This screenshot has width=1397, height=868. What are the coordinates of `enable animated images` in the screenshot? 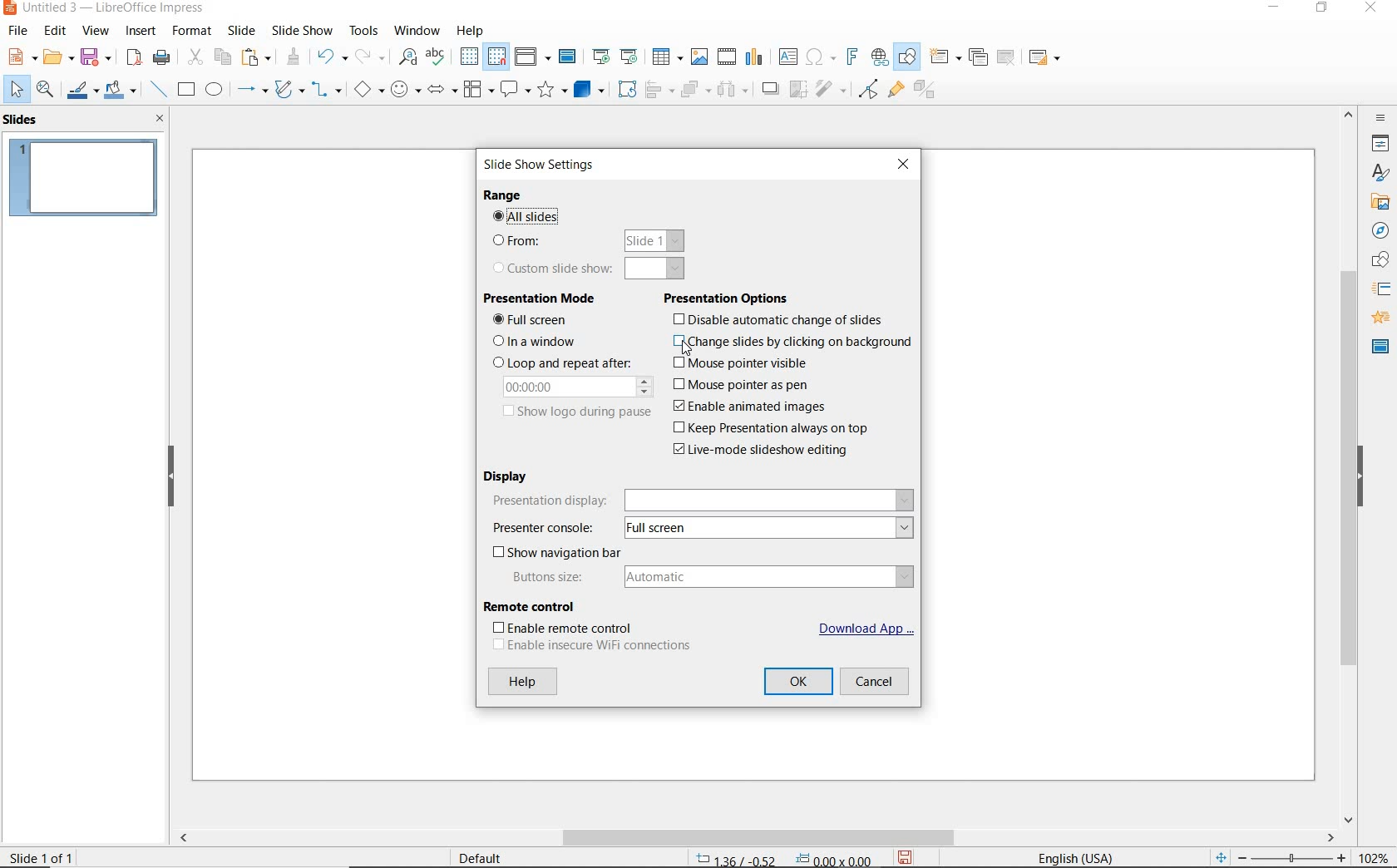 It's located at (752, 407).